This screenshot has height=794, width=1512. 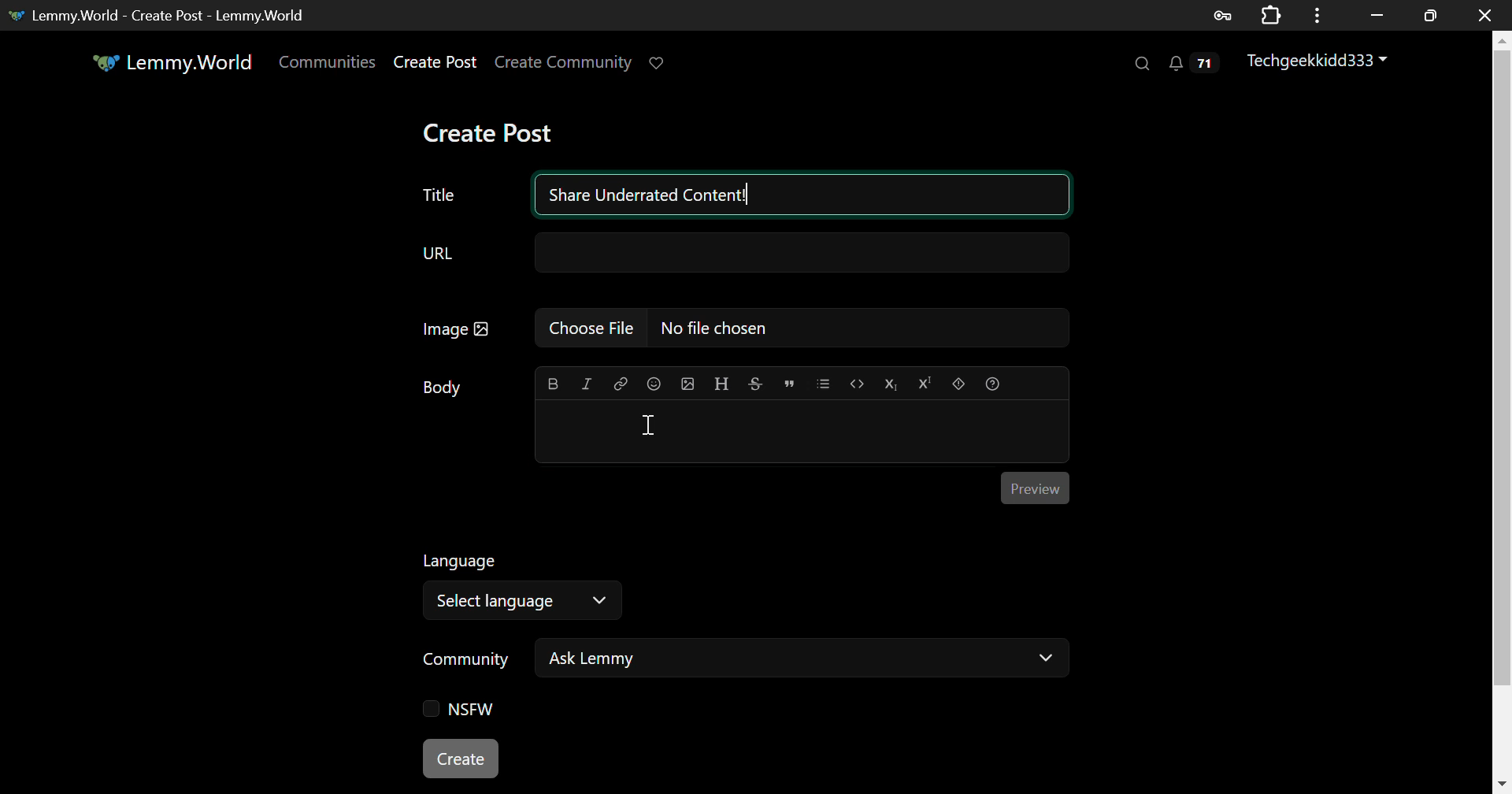 I want to click on Notifications, so click(x=1197, y=64).